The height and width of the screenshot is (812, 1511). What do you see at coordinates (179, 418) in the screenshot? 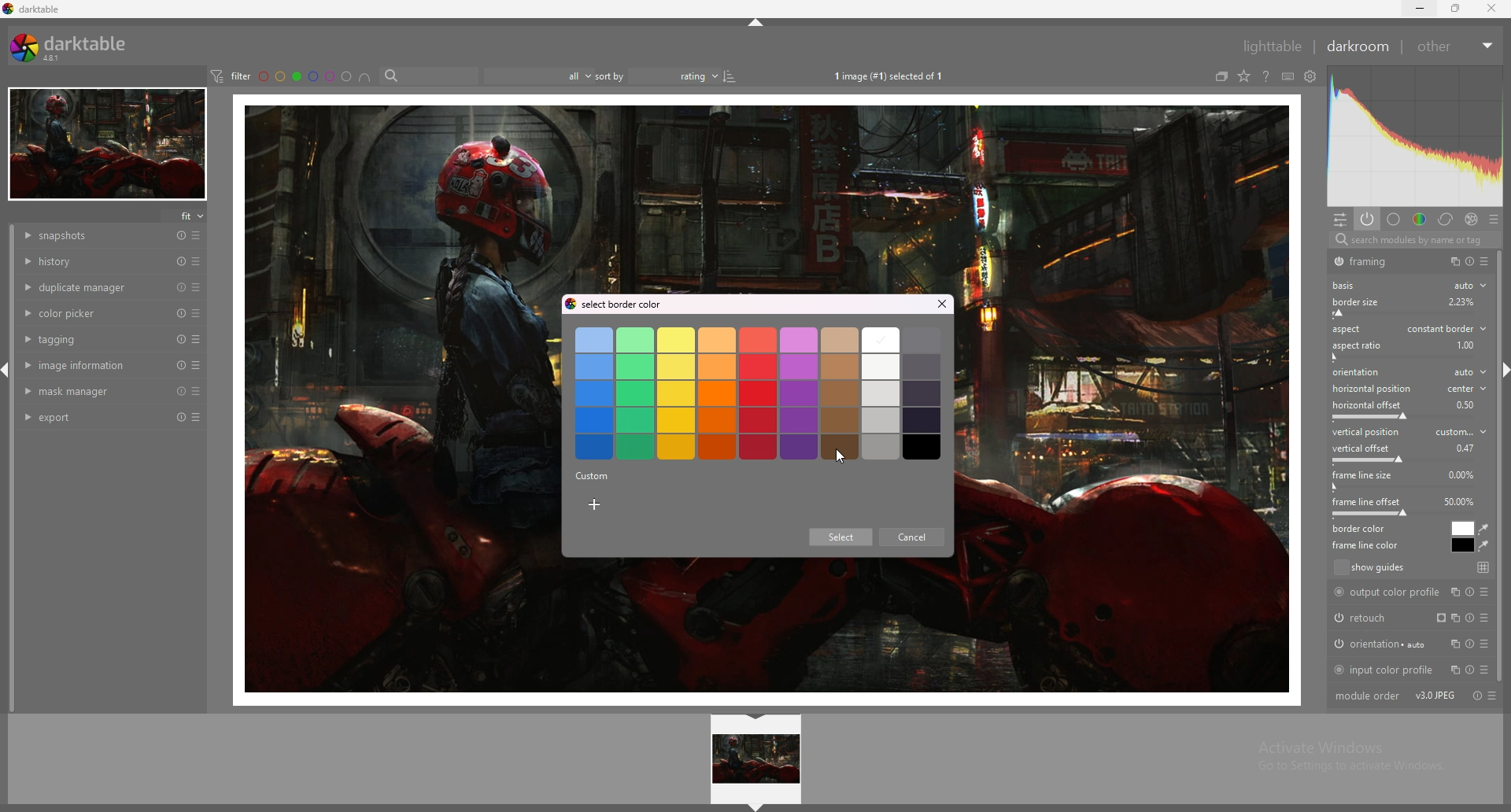
I see `reset` at bounding box center [179, 418].